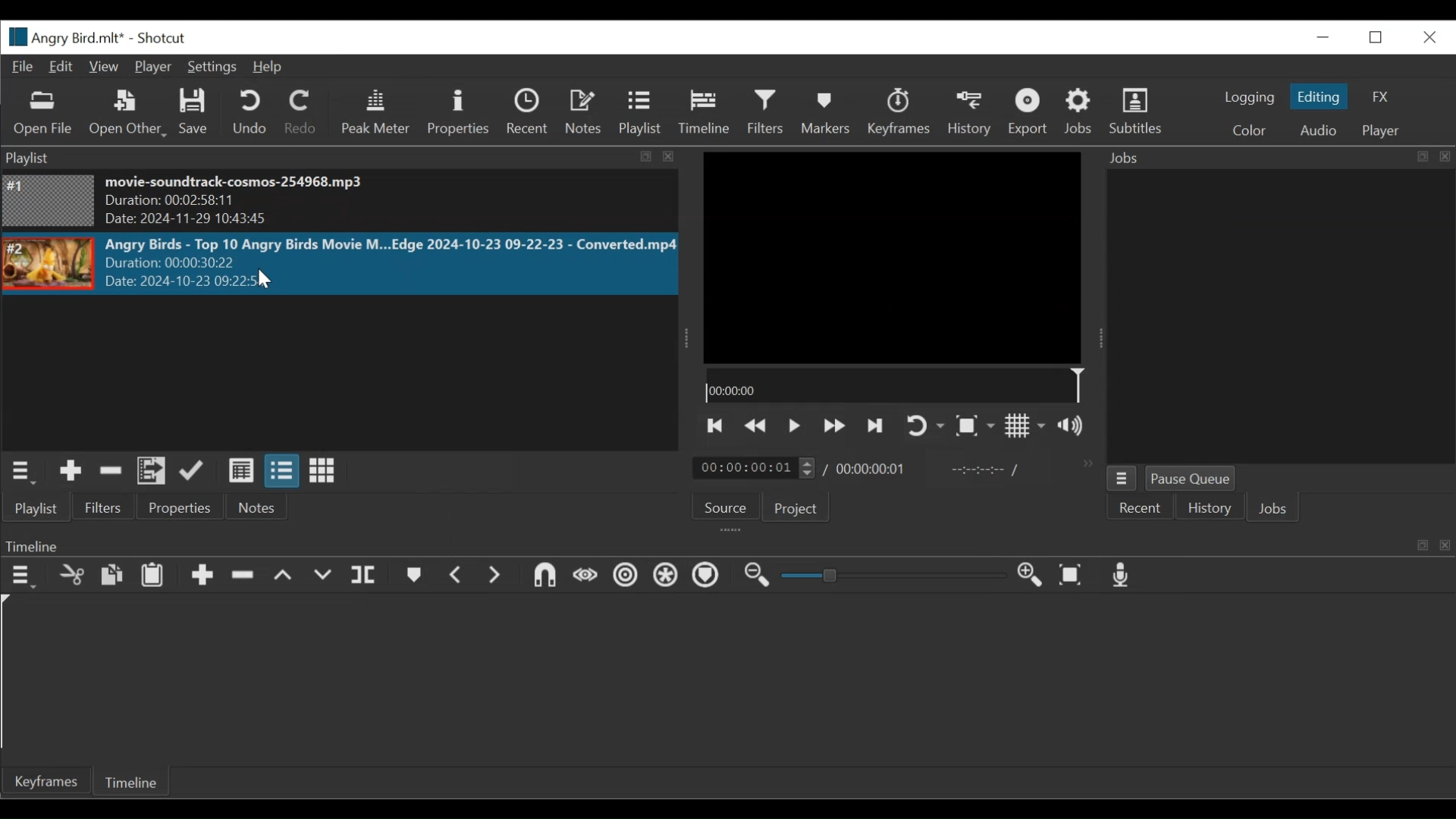 The image size is (1456, 819). I want to click on Properties, so click(183, 508).